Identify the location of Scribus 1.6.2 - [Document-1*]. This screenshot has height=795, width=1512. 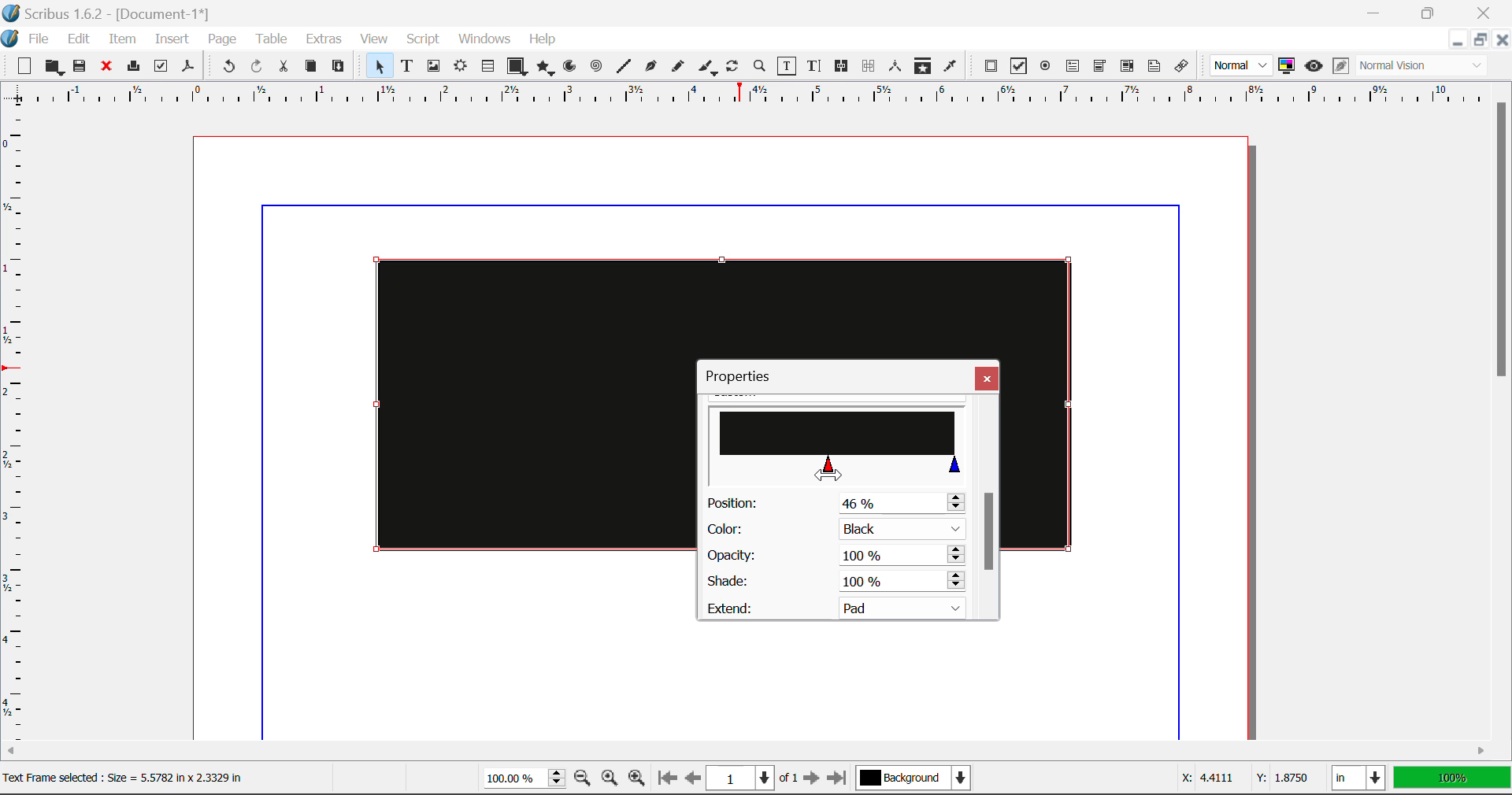
(112, 15).